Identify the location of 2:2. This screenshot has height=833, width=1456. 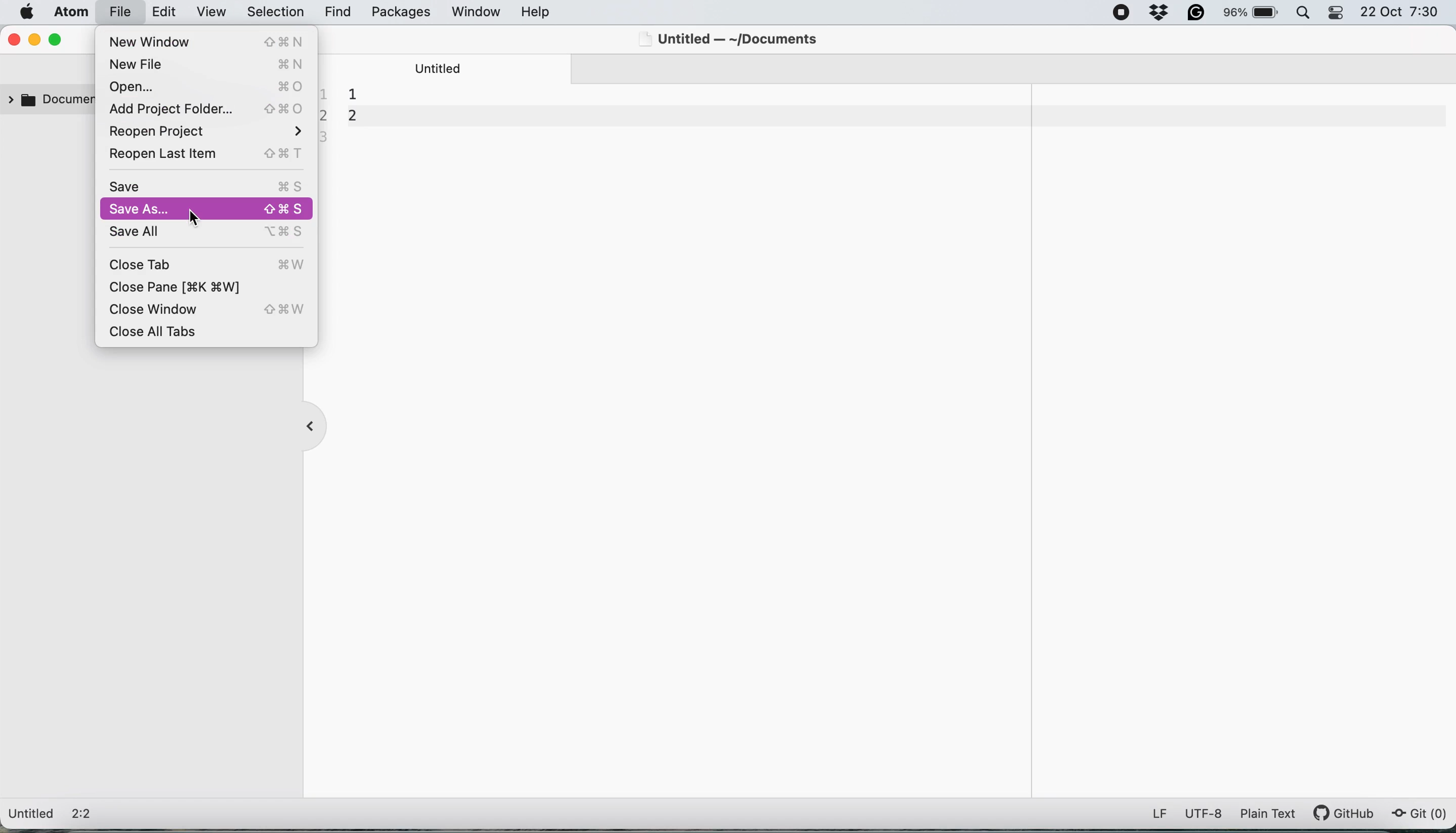
(93, 815).